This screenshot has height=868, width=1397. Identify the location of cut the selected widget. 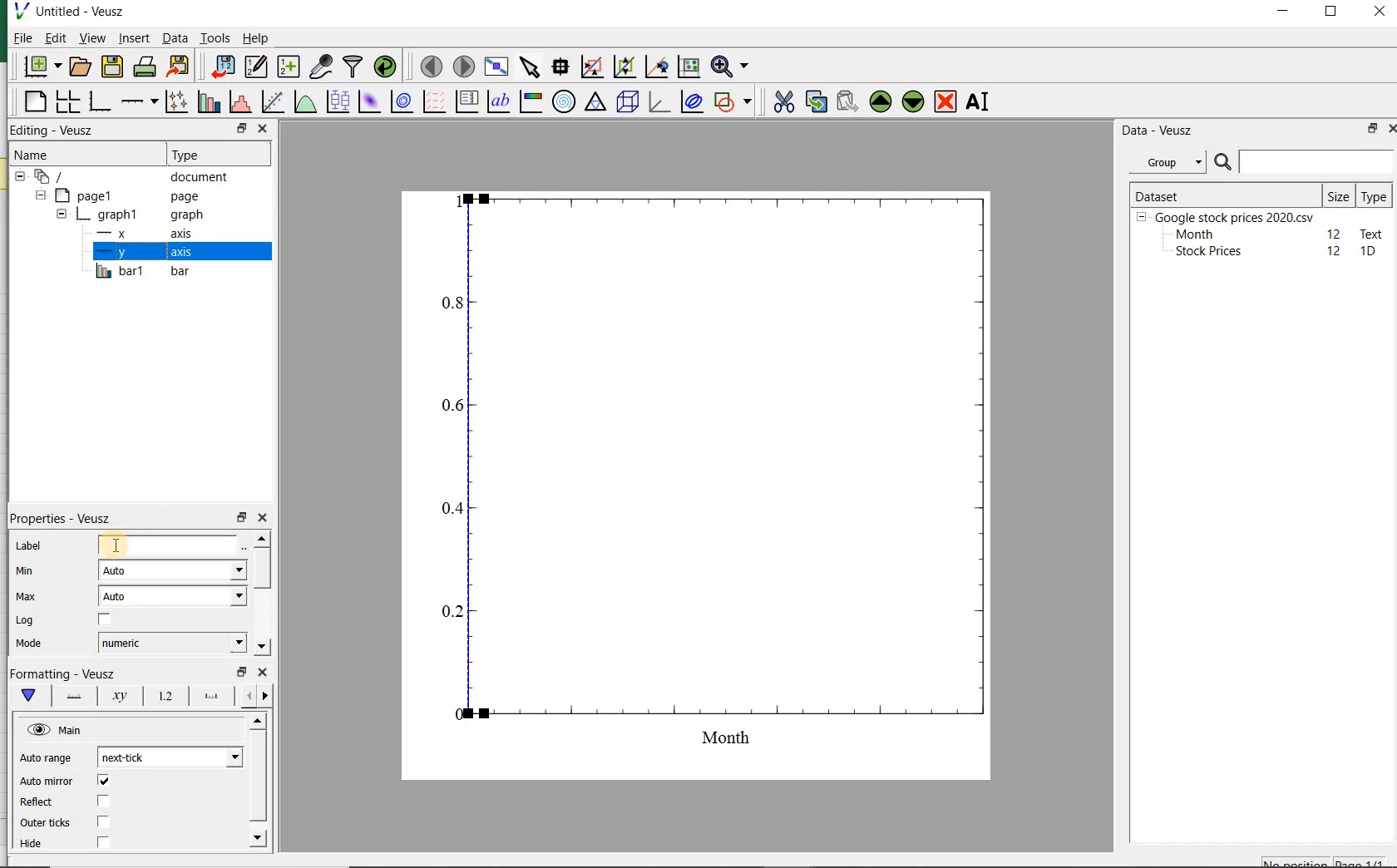
(785, 104).